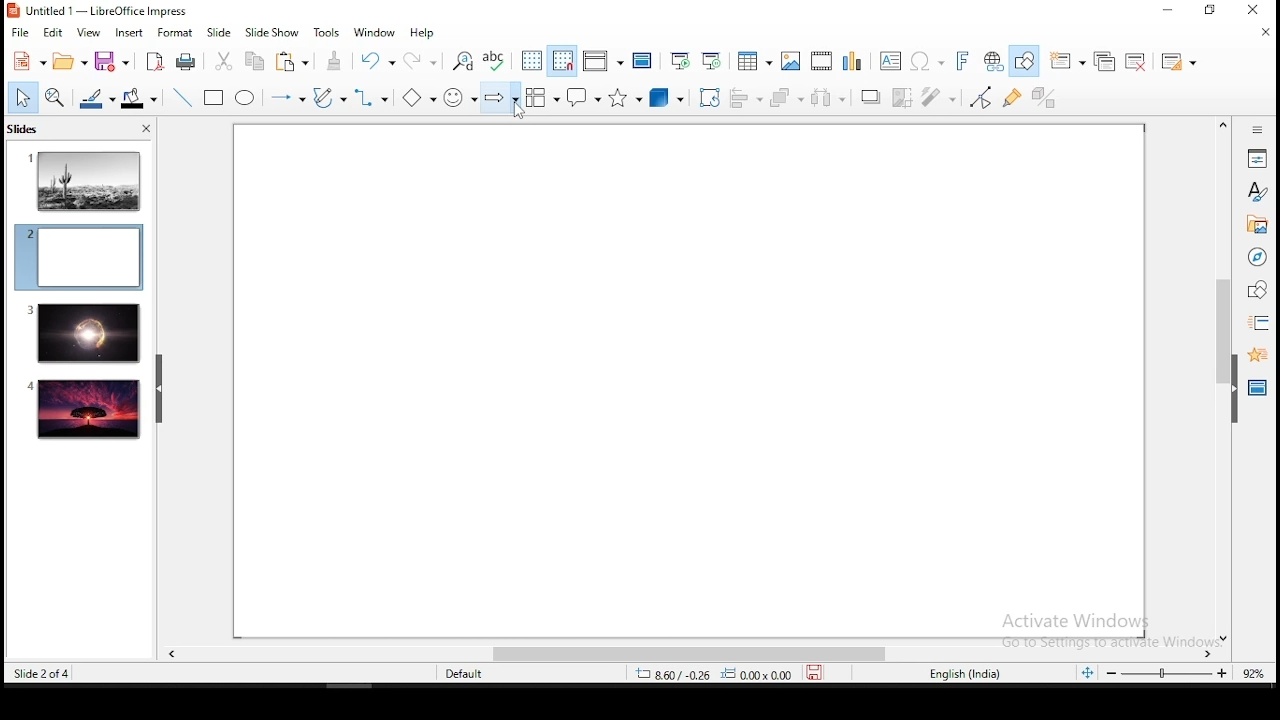 The width and height of the screenshot is (1280, 720). What do you see at coordinates (600, 62) in the screenshot?
I see `display views` at bounding box center [600, 62].